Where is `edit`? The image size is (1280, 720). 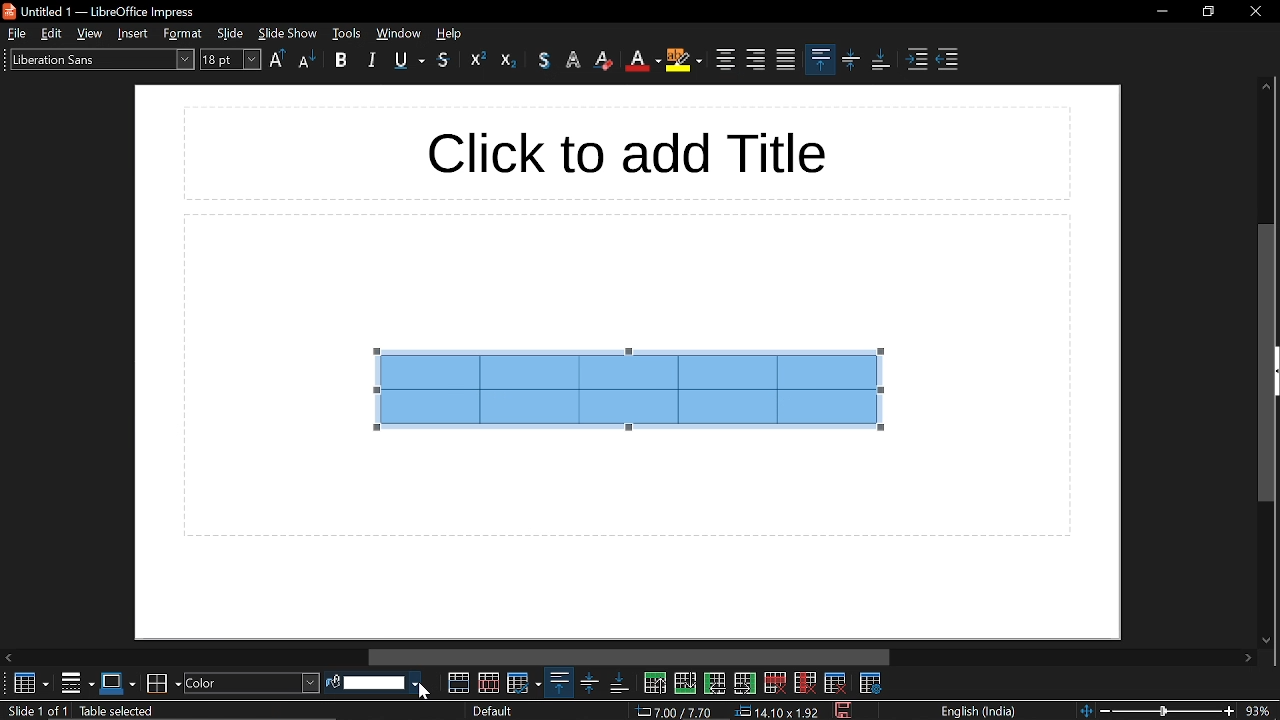
edit is located at coordinates (53, 33).